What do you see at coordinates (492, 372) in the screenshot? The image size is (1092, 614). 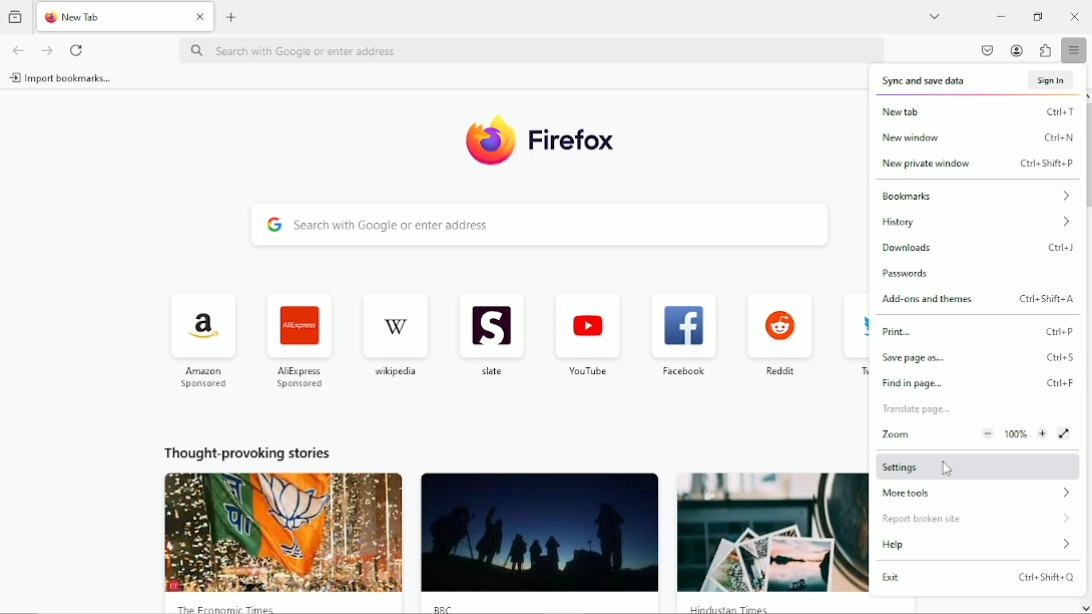 I see `slate` at bounding box center [492, 372].